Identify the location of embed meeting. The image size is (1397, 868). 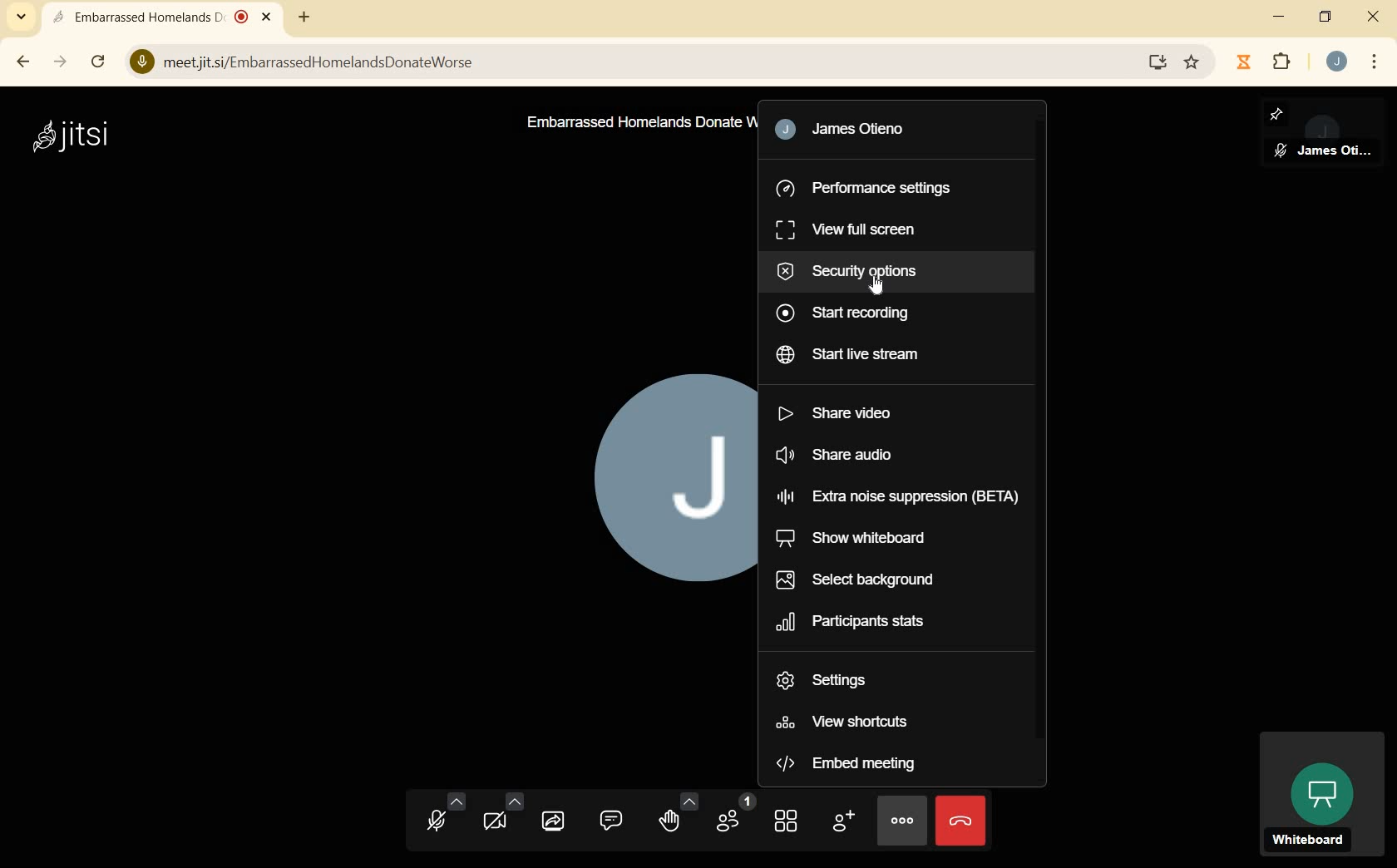
(846, 762).